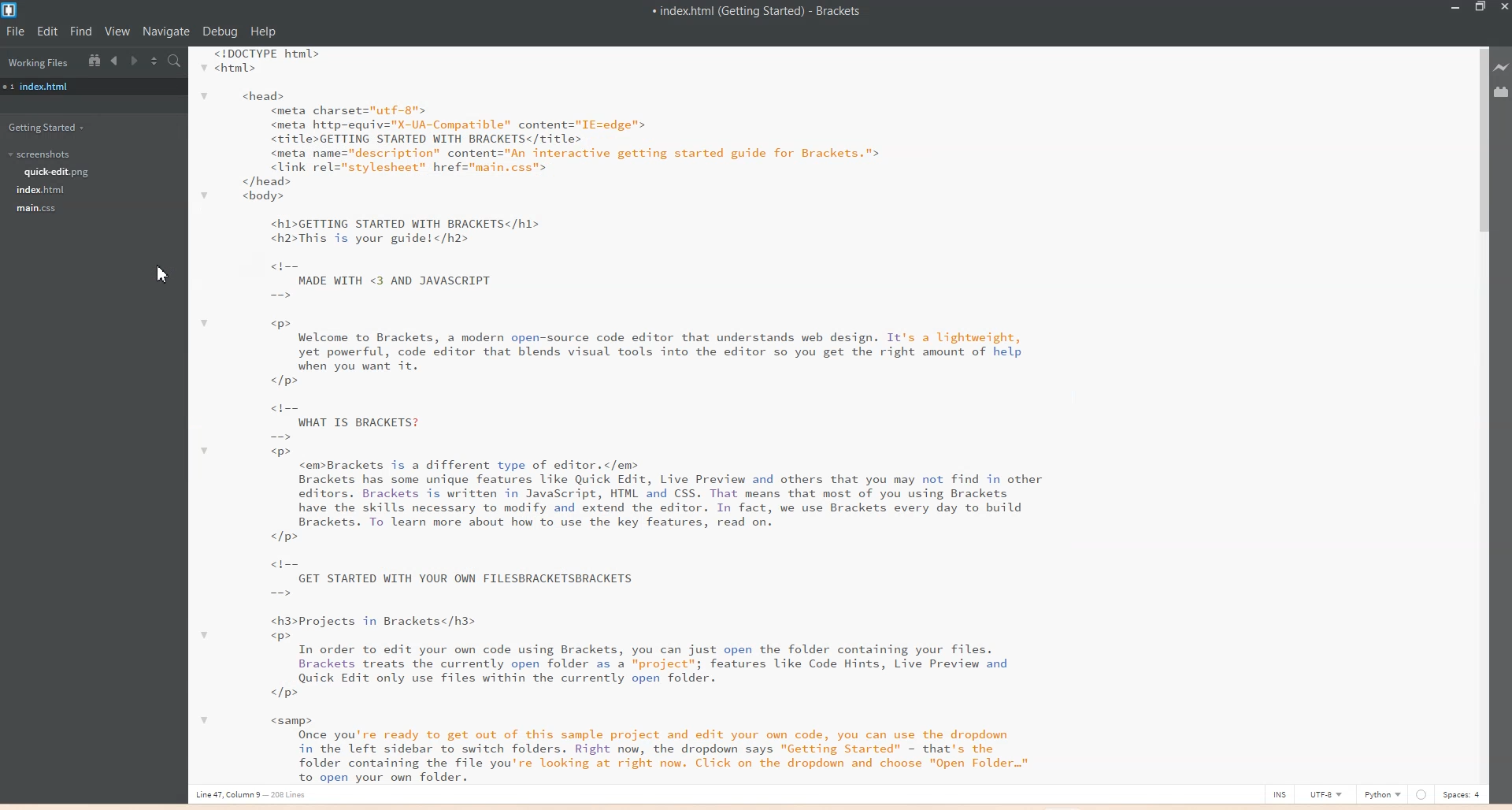 The width and height of the screenshot is (1512, 810). I want to click on Index.html, so click(43, 190).